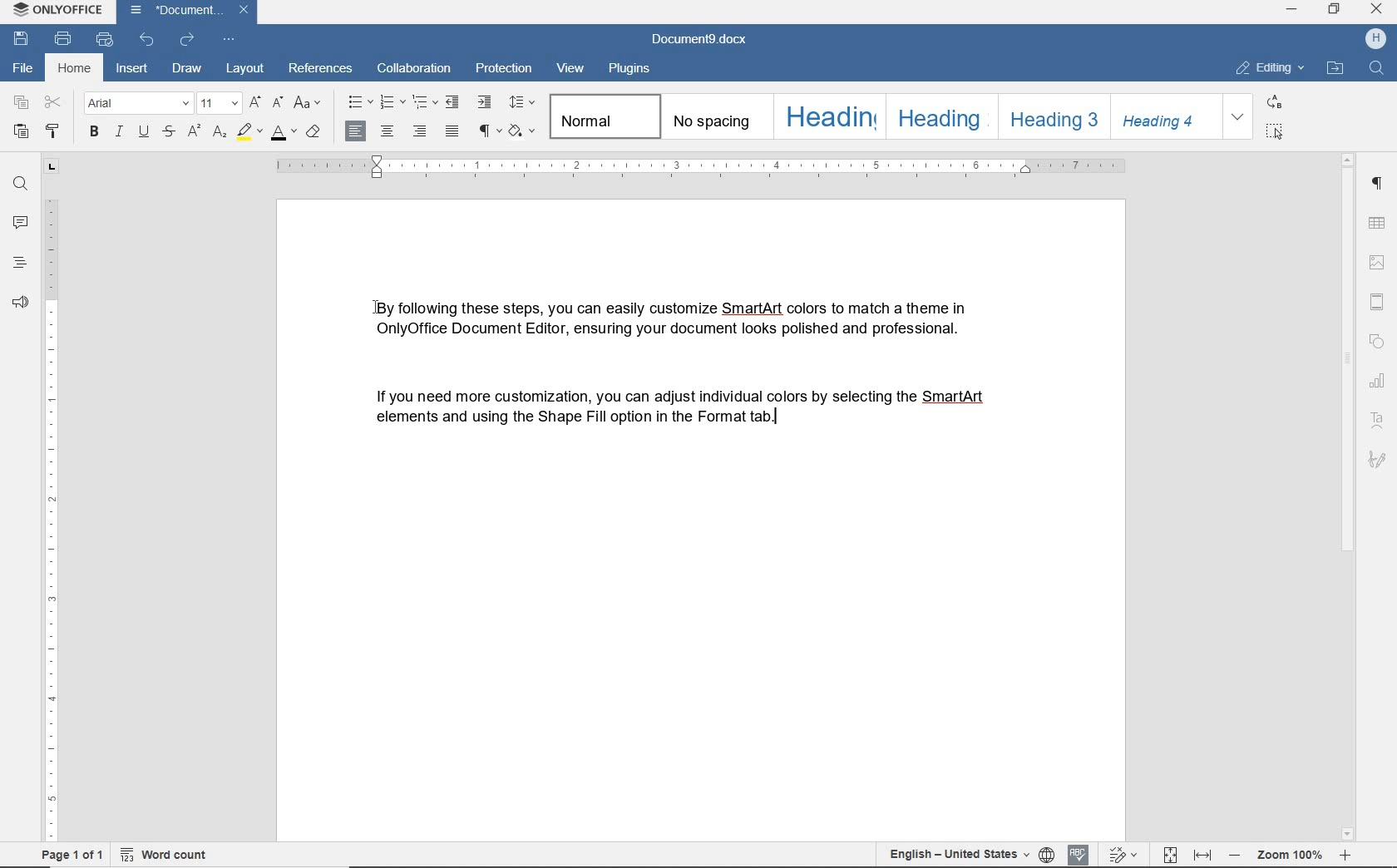  I want to click on feedback & support, so click(20, 303).